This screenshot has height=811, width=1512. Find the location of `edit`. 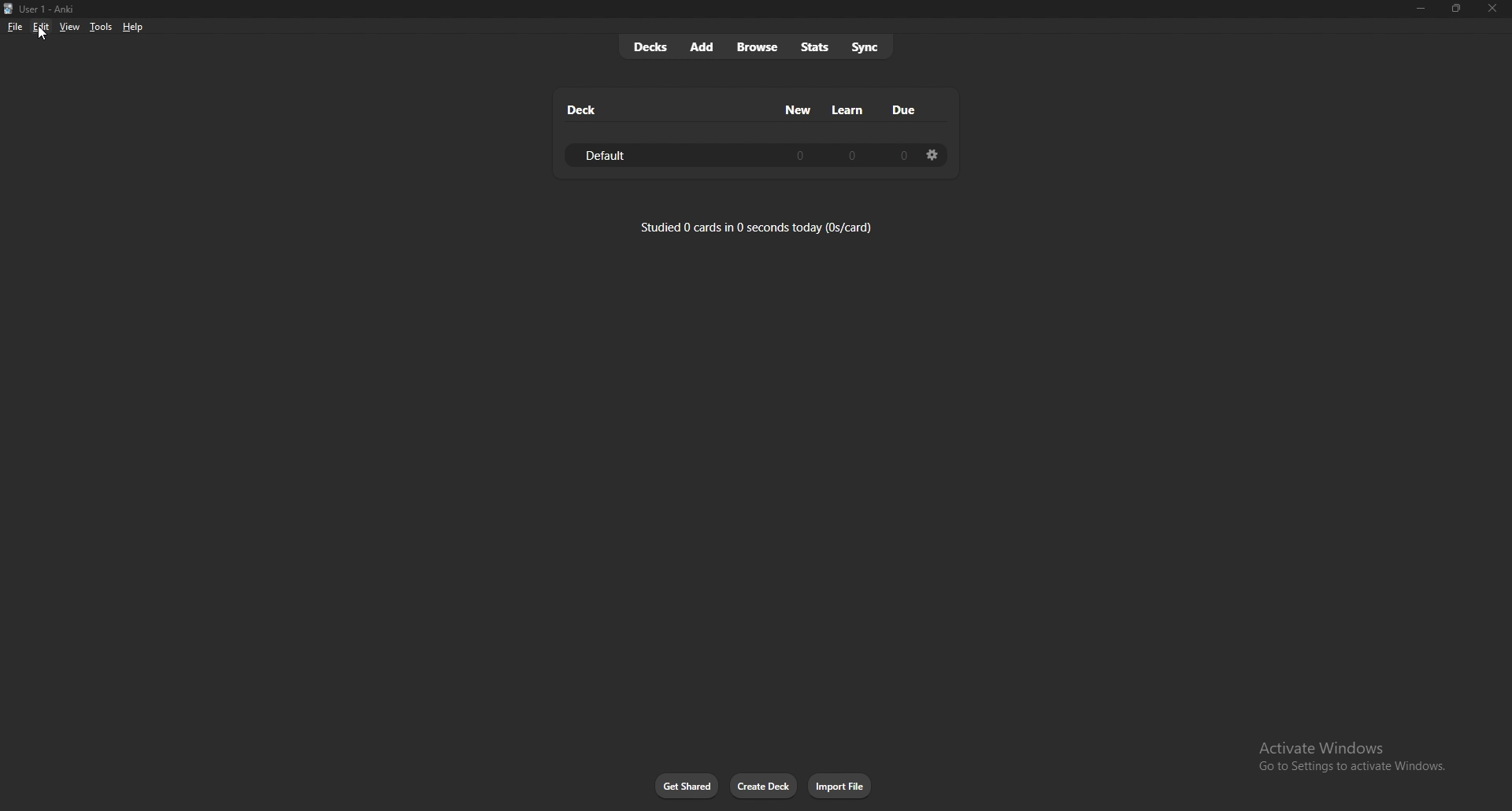

edit is located at coordinates (39, 27).